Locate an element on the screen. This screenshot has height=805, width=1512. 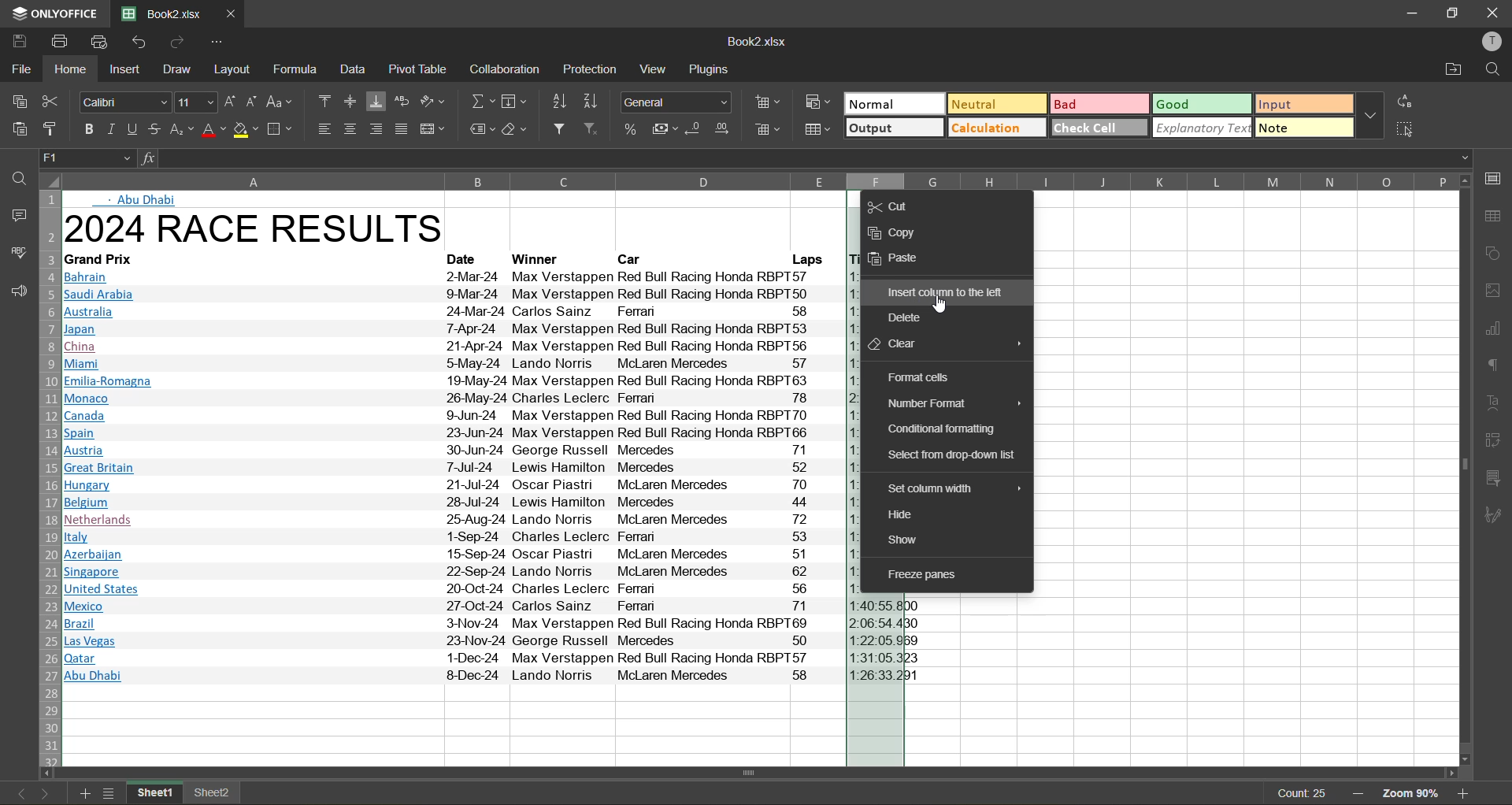
app name: only office is located at coordinates (49, 14).